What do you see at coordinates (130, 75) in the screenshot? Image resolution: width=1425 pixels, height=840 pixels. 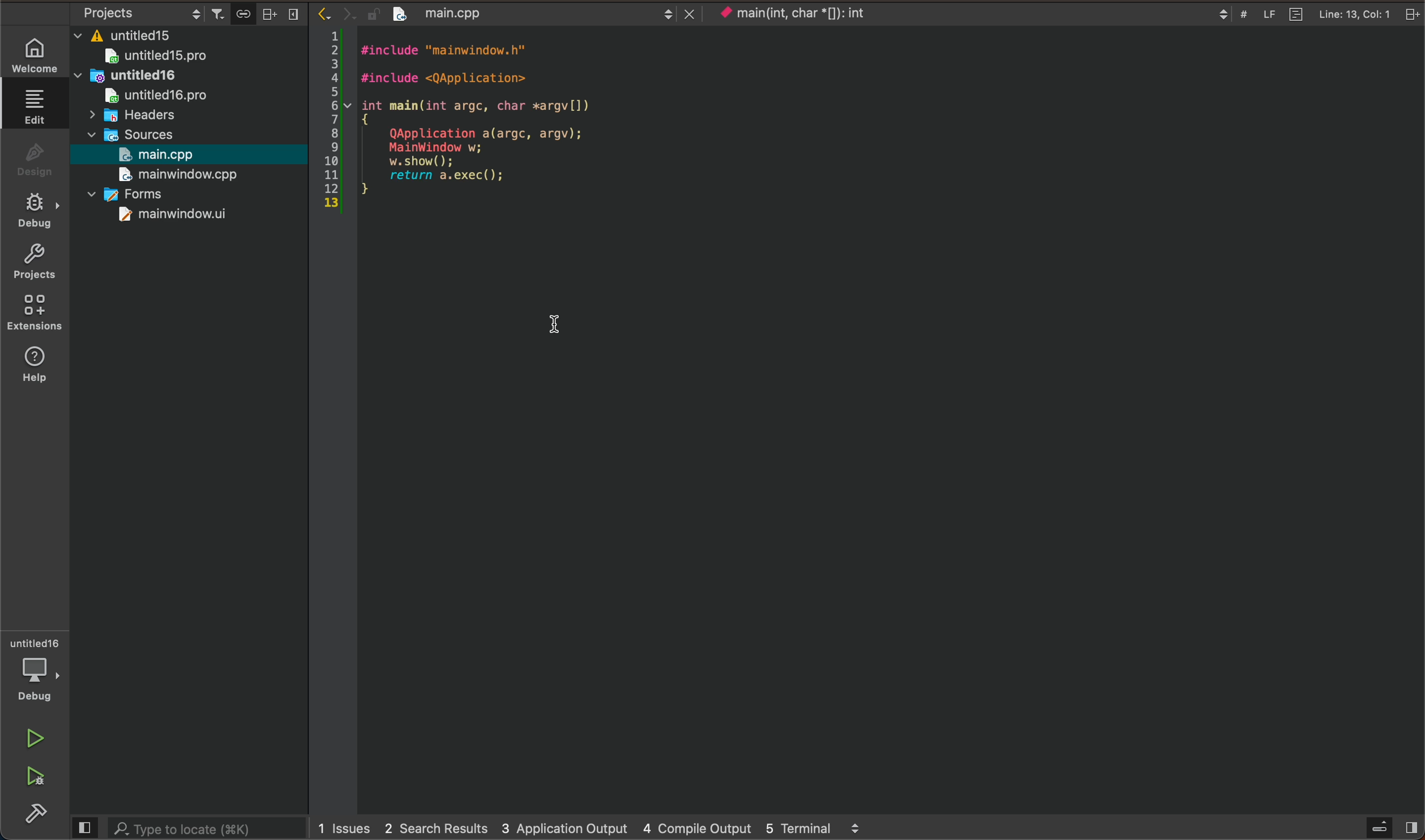 I see `untitled16` at bounding box center [130, 75].